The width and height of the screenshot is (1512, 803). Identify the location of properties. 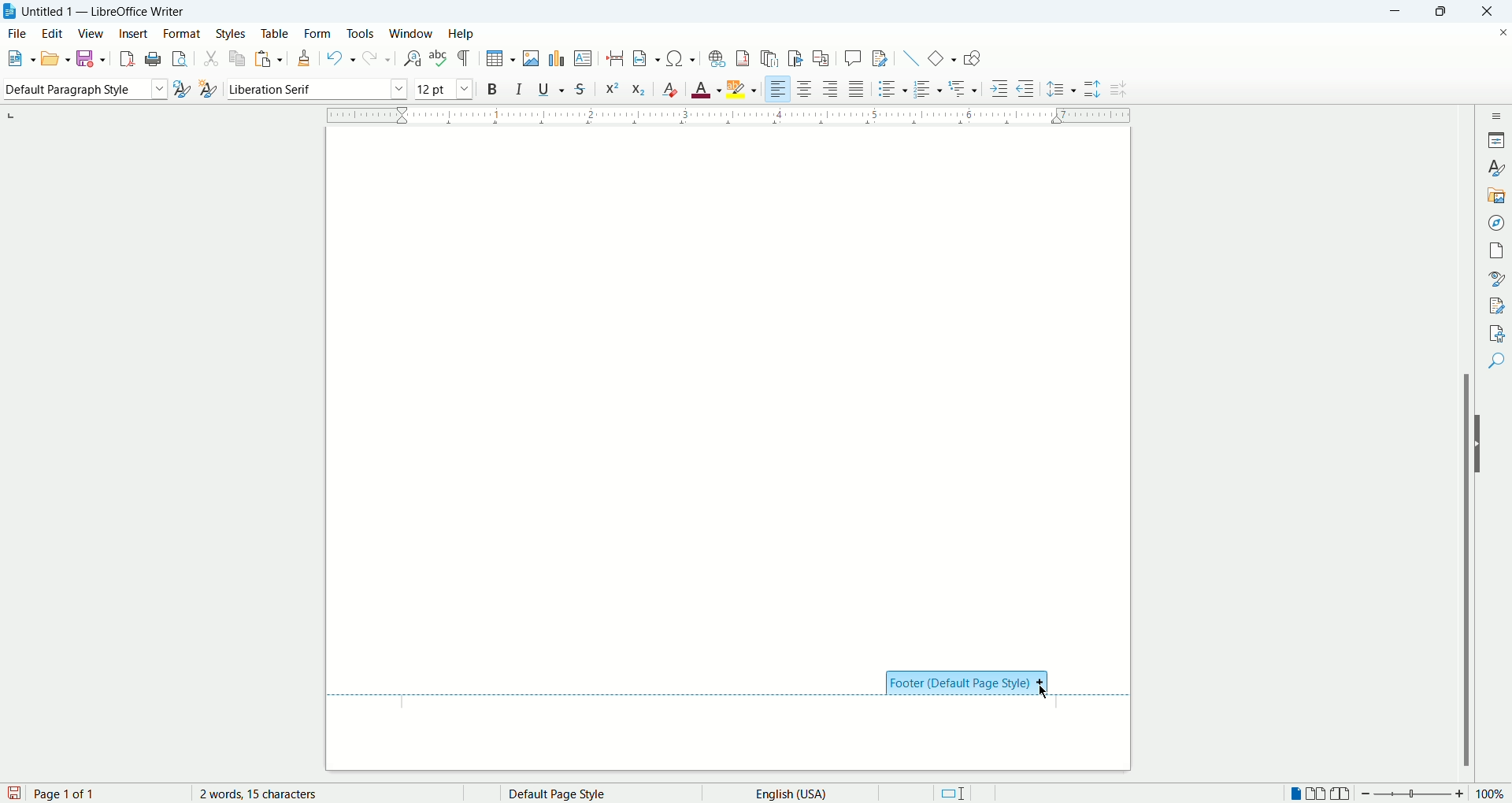
(1498, 139).